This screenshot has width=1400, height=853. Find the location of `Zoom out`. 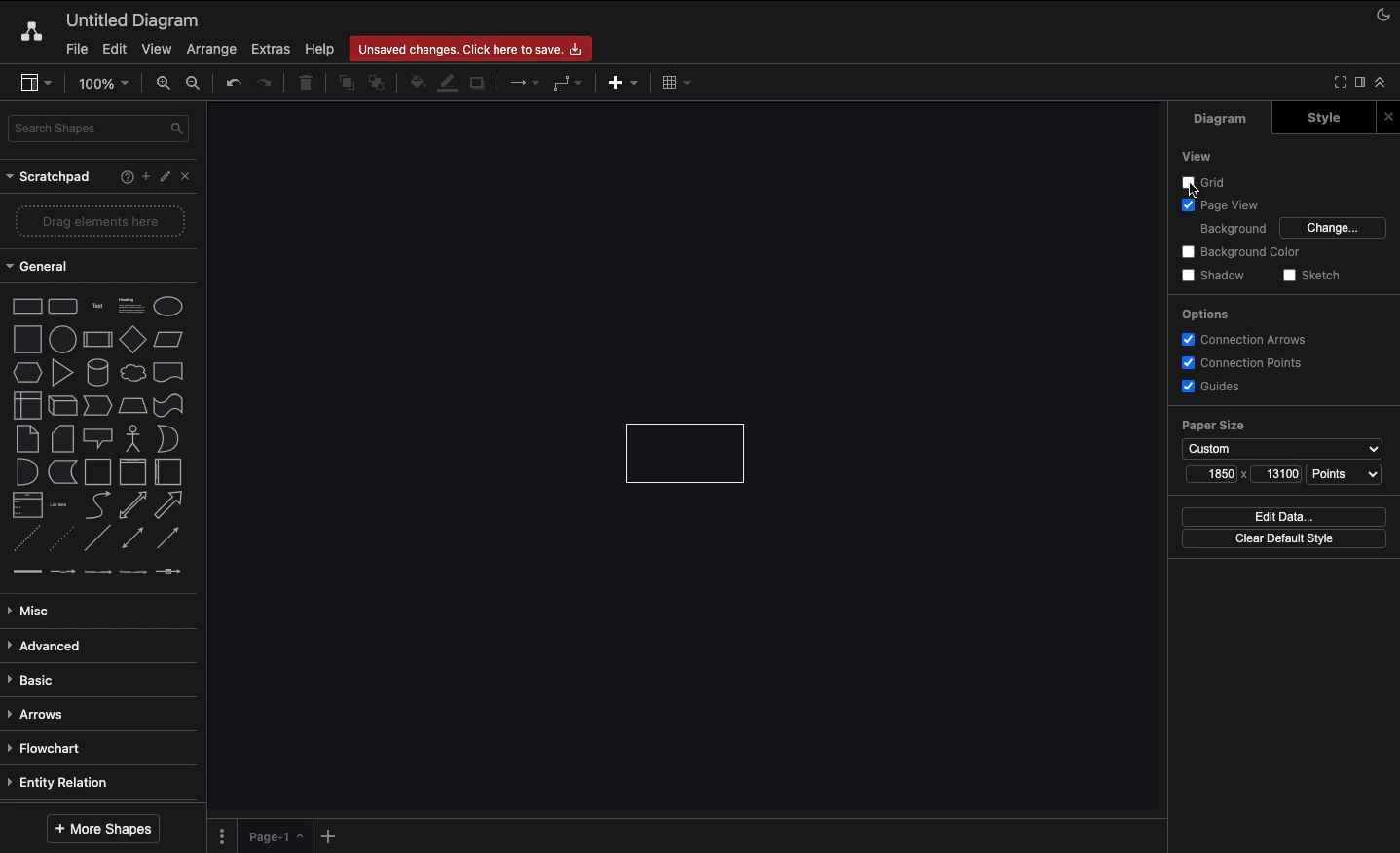

Zoom out is located at coordinates (195, 85).